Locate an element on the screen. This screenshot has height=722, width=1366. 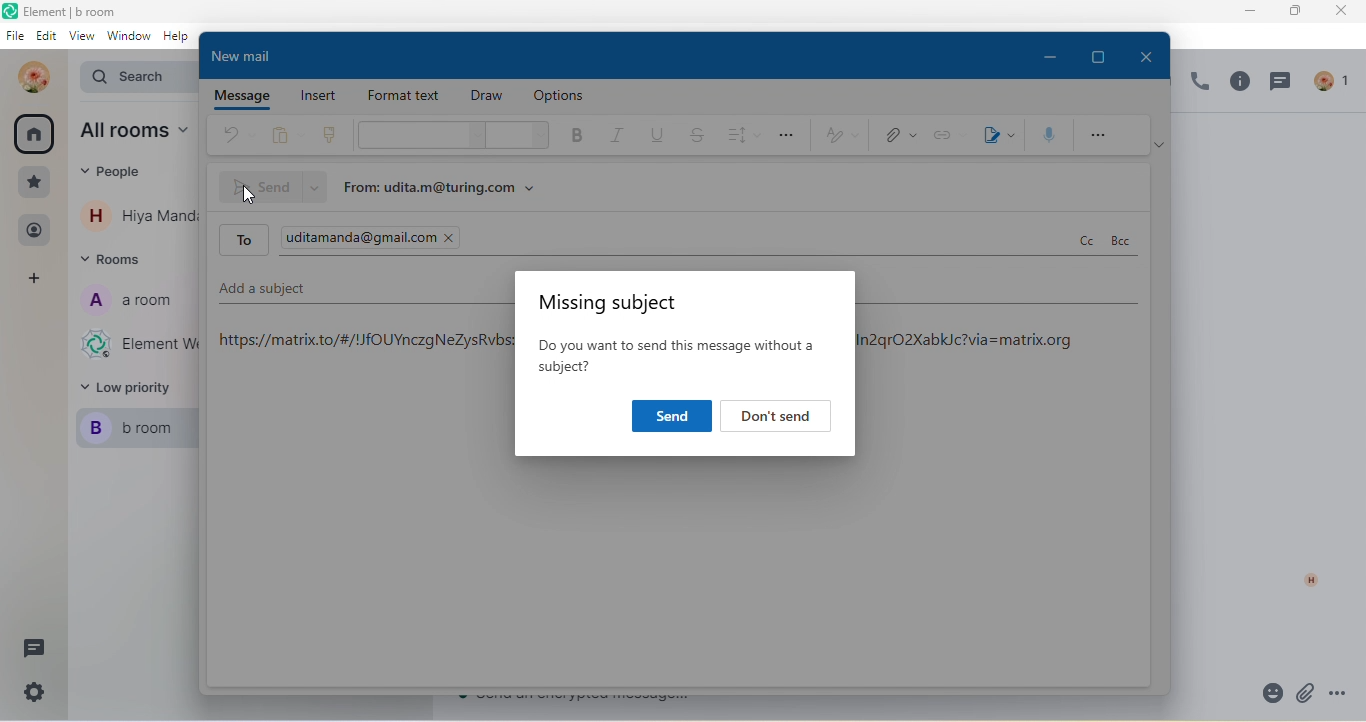
Do you want to send this message without a subject? is located at coordinates (684, 362).